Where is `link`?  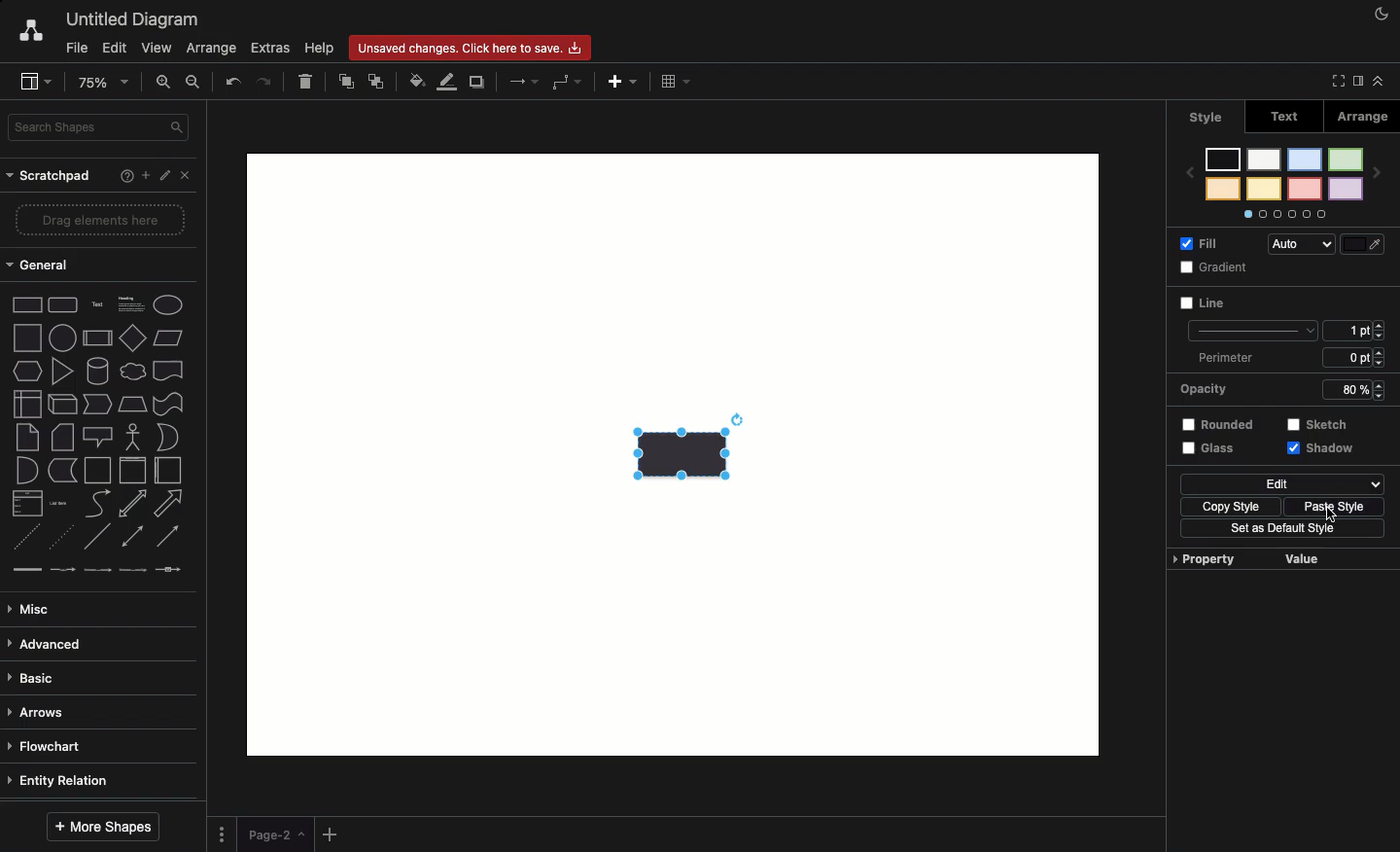
link is located at coordinates (24, 569).